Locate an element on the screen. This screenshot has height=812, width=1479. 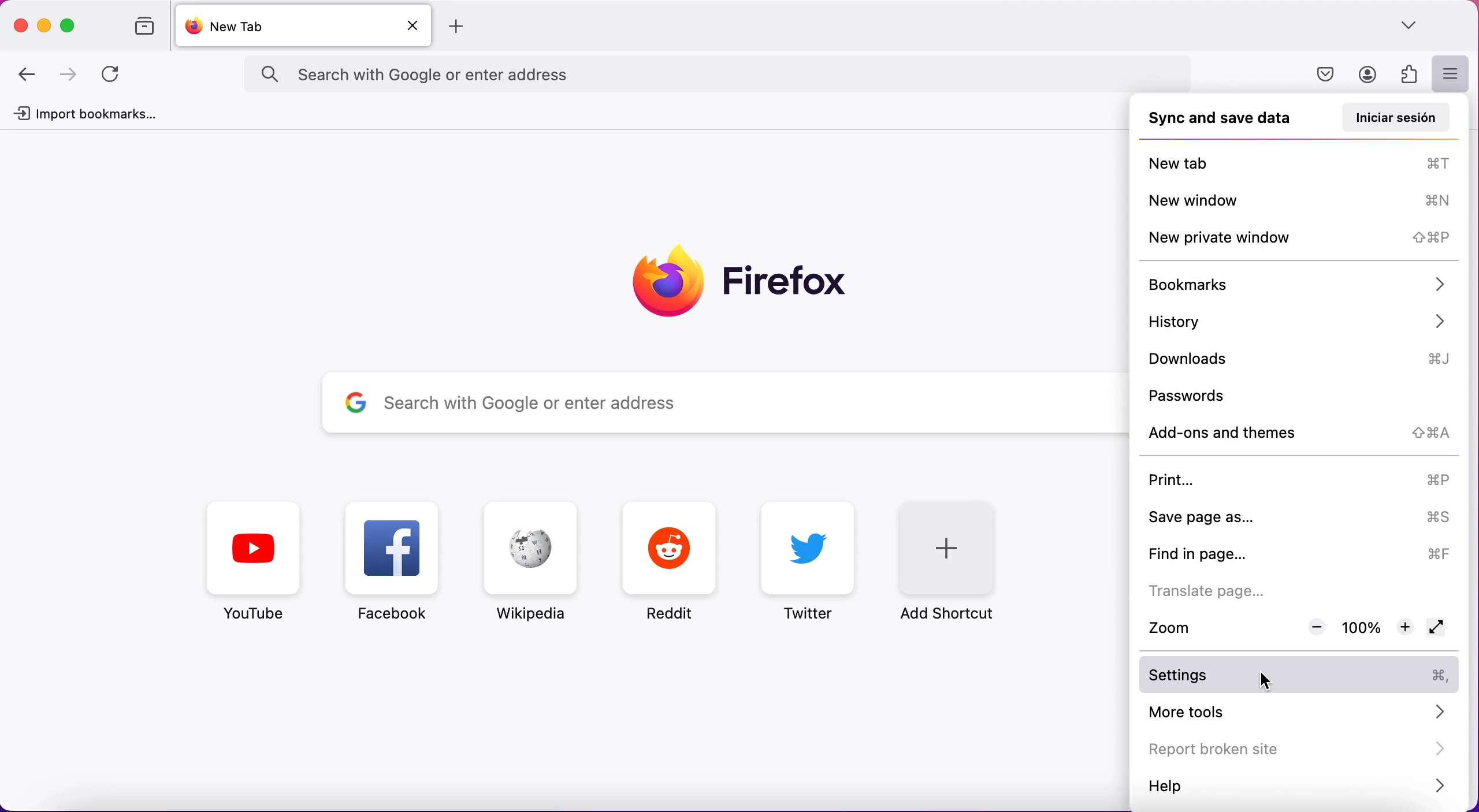
search with google or enter address is located at coordinates (696, 405).